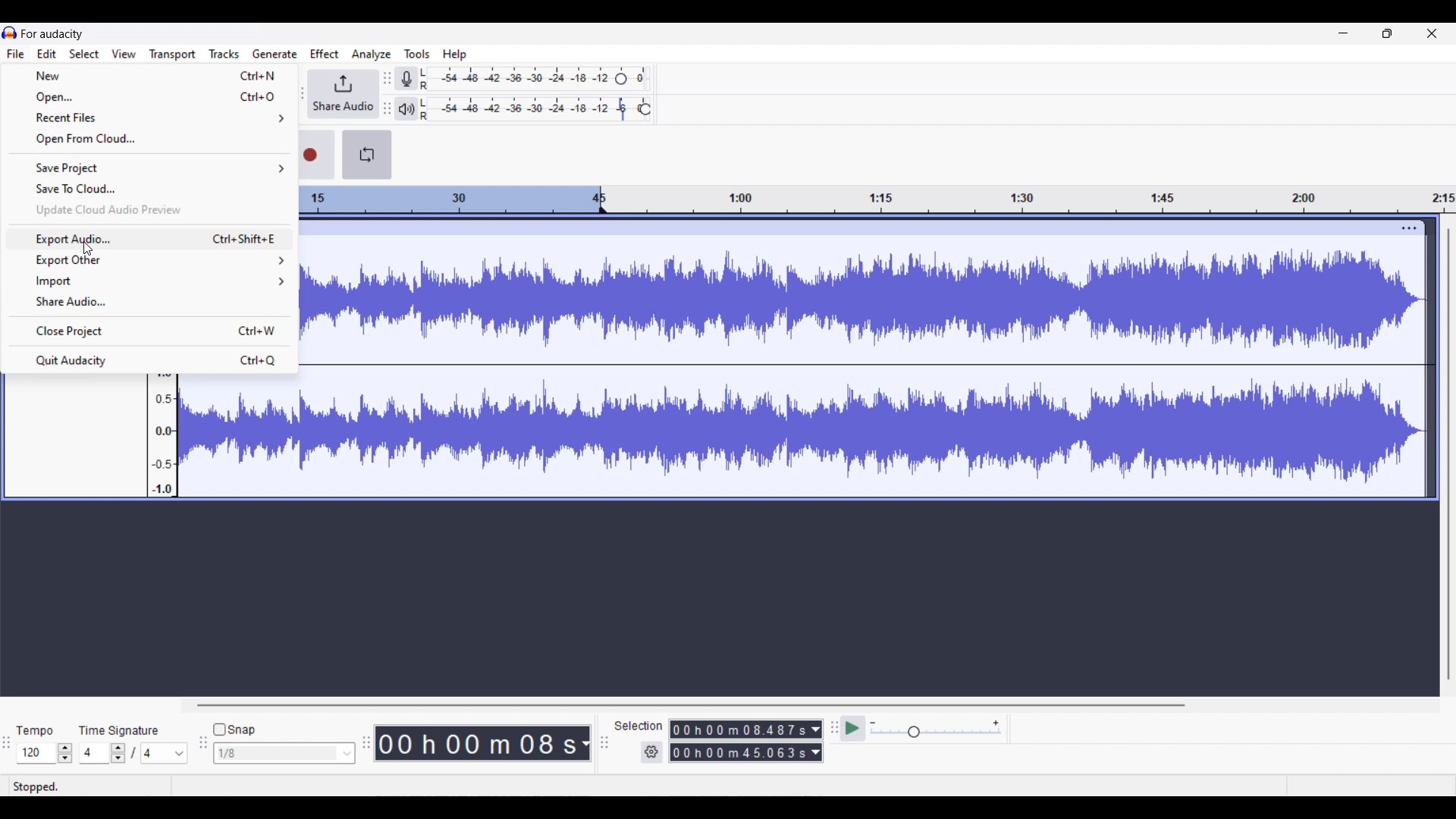 The image size is (1456, 819). I want to click on Playback meter, so click(406, 109).